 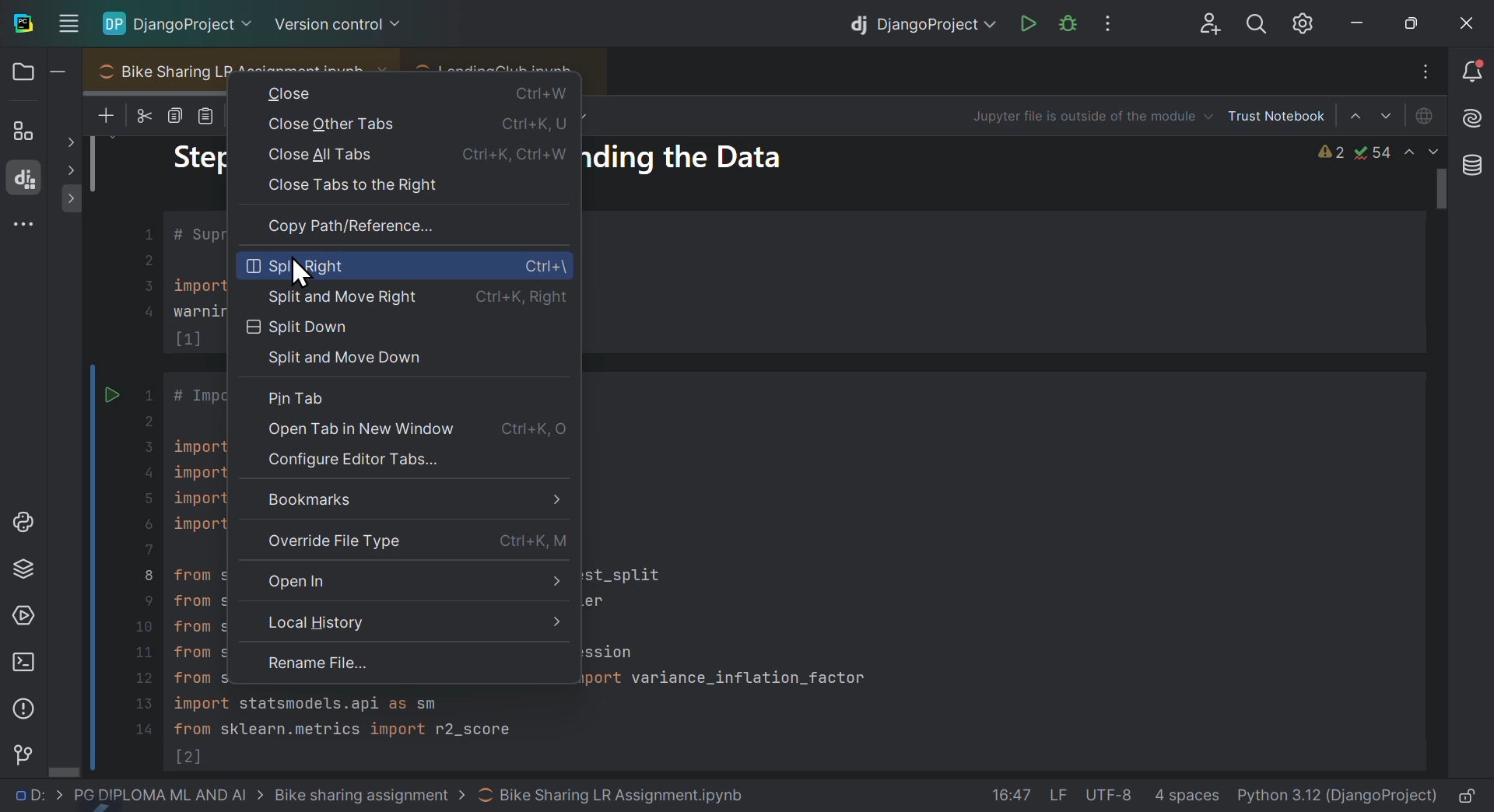 I want to click on Bike sharing L R assignment, so click(x=160, y=68).